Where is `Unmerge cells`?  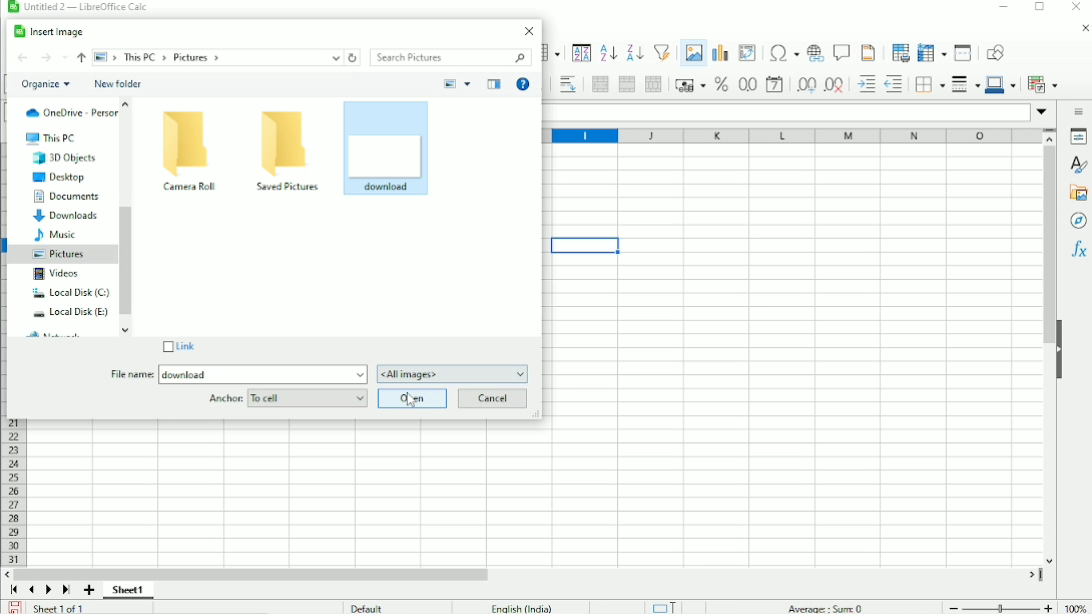
Unmerge cells is located at coordinates (653, 84).